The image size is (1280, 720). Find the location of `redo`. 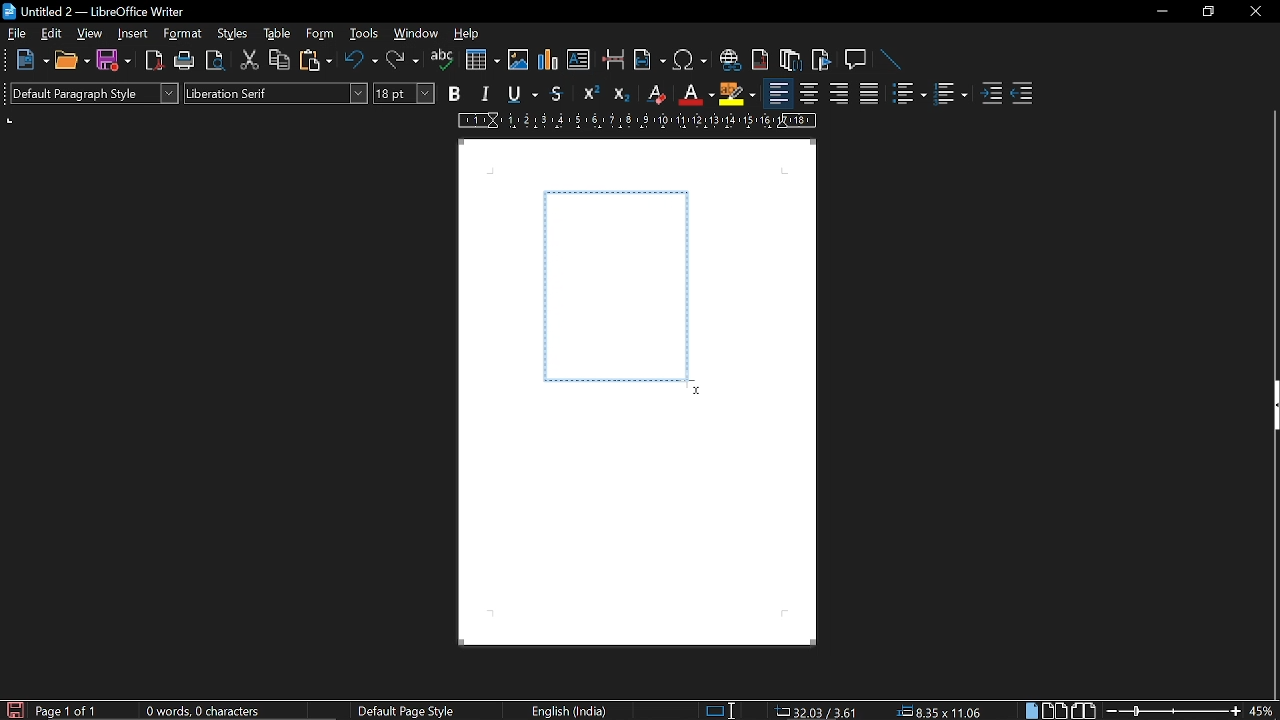

redo is located at coordinates (402, 62).